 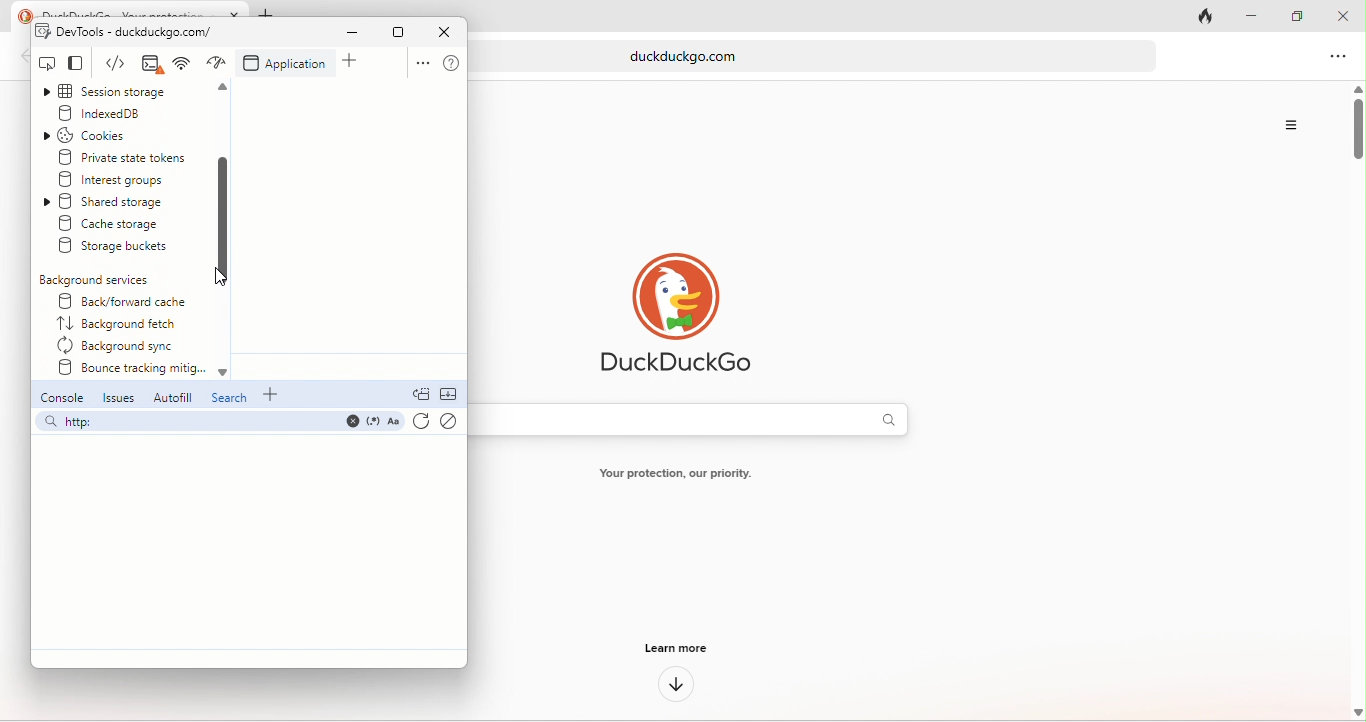 What do you see at coordinates (275, 395) in the screenshot?
I see `add` at bounding box center [275, 395].